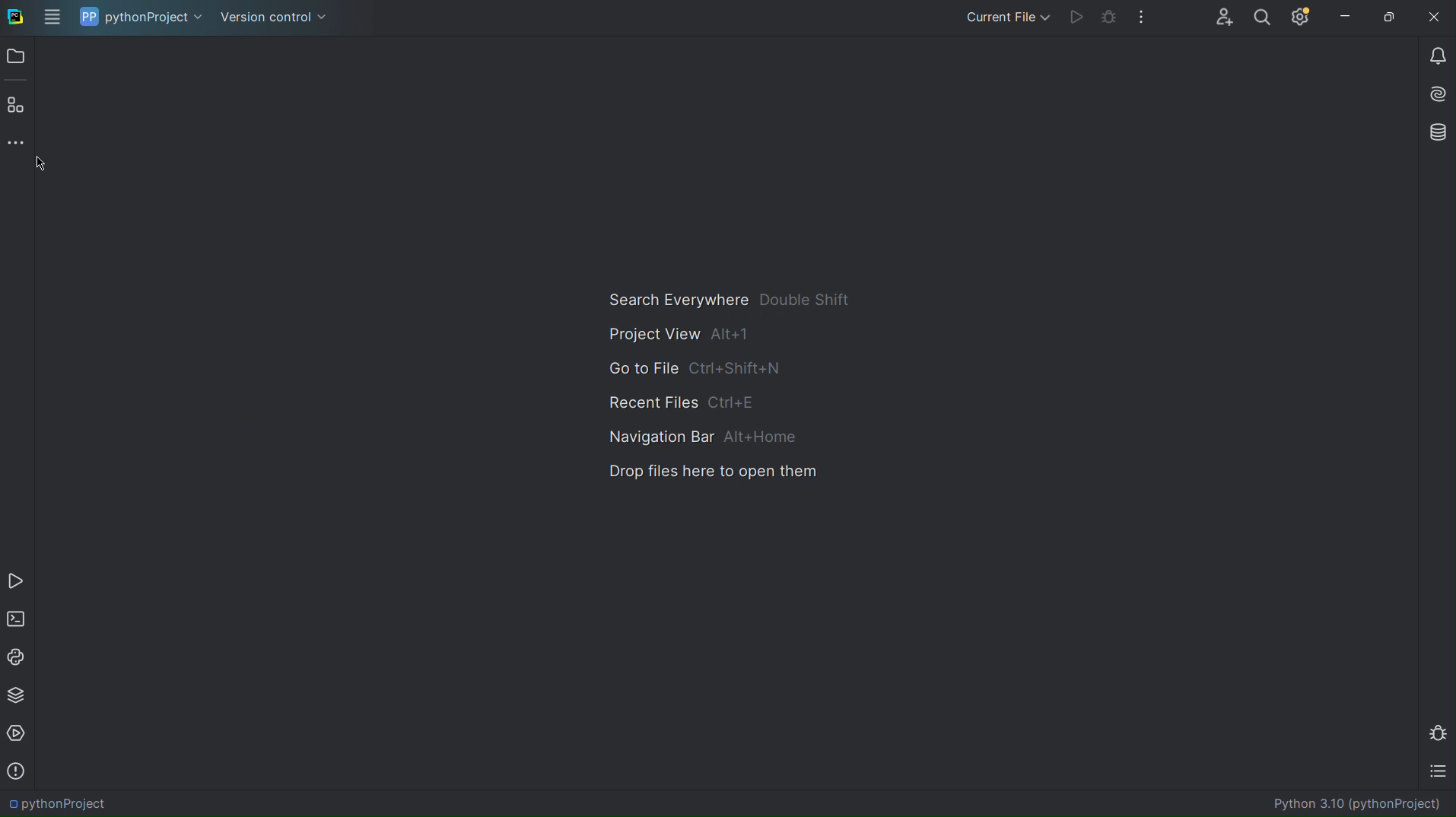  What do you see at coordinates (1223, 17) in the screenshot?
I see `Account` at bounding box center [1223, 17].